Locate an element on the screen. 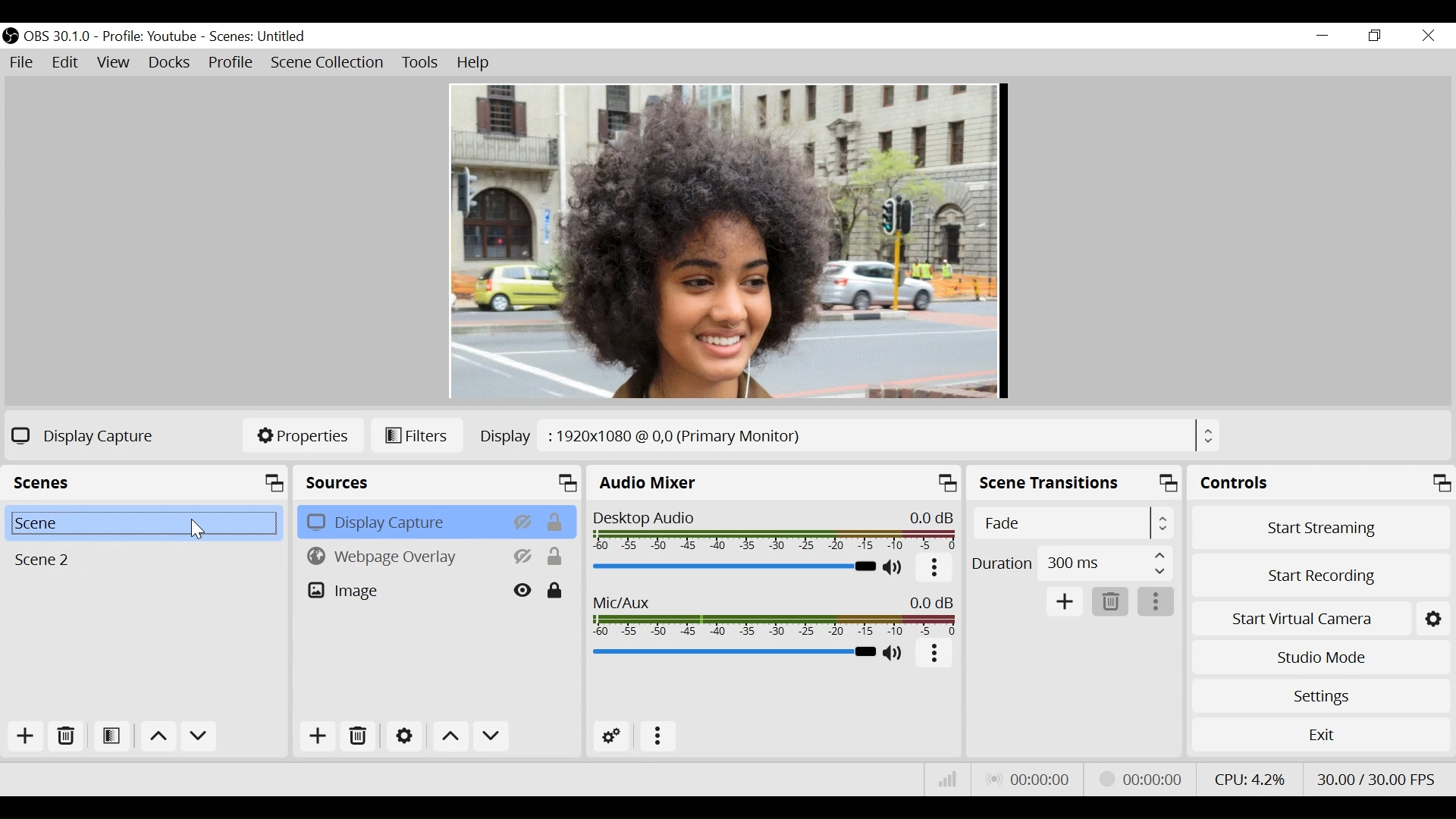  More Options is located at coordinates (935, 570).